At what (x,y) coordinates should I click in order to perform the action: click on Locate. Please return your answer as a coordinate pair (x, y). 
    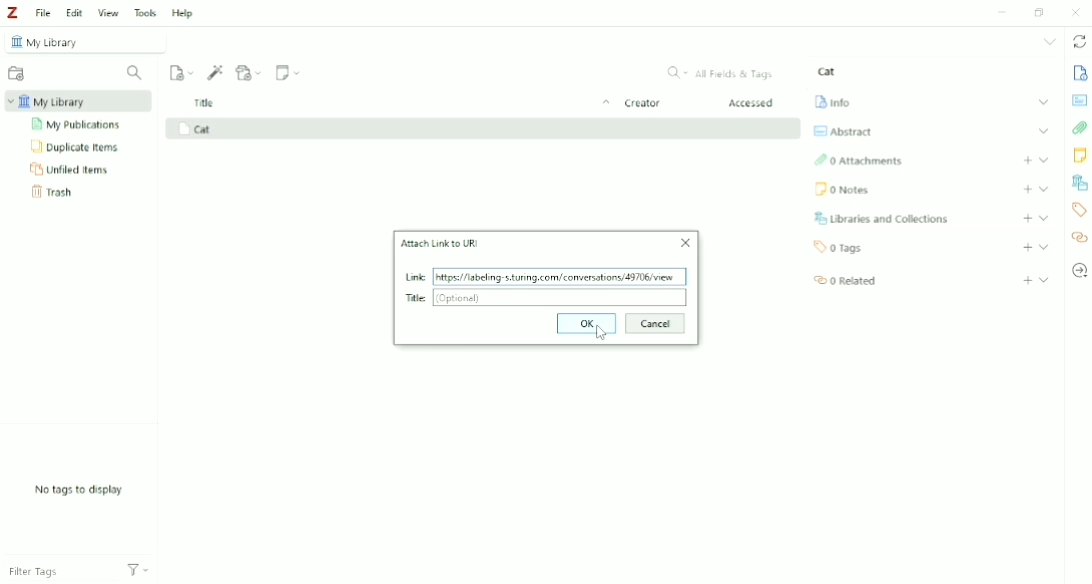
    Looking at the image, I should click on (1079, 270).